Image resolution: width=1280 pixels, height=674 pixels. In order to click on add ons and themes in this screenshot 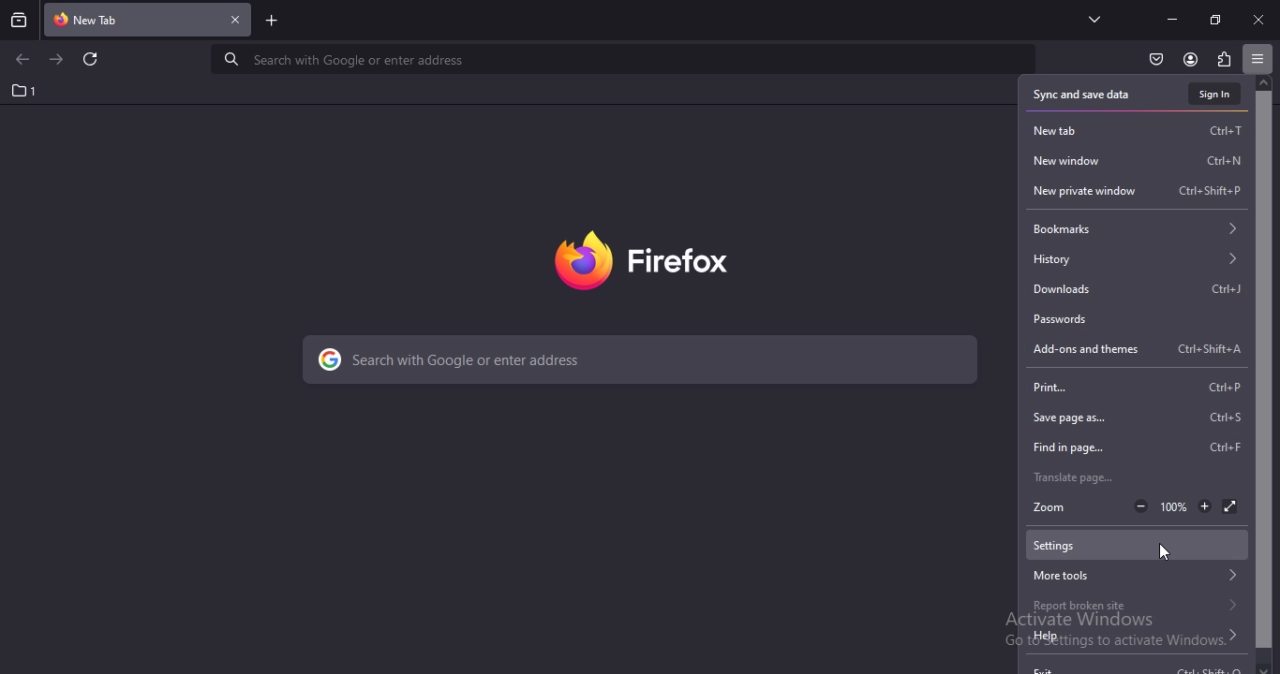, I will do `click(1138, 350)`.